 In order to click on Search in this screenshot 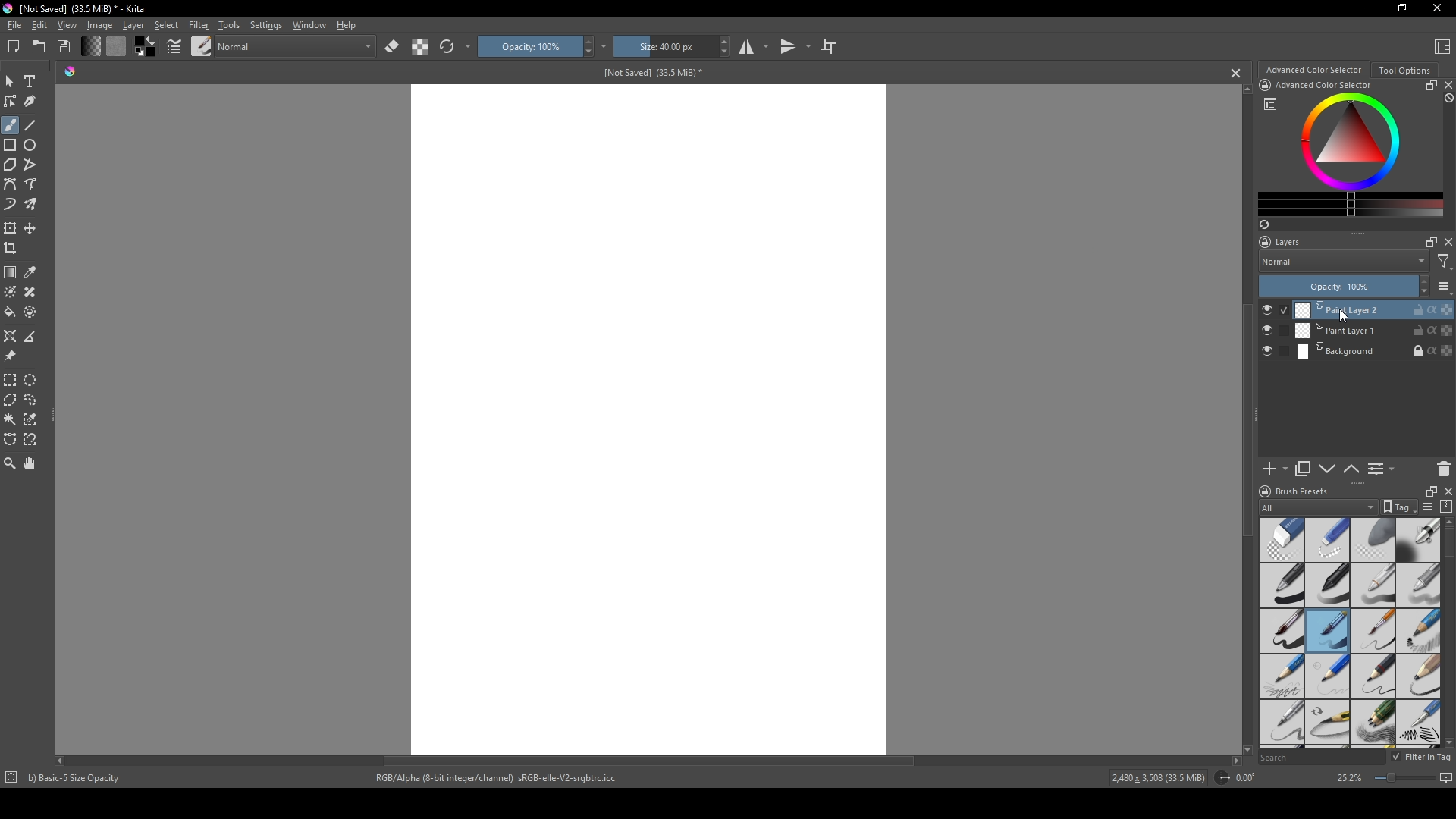, I will do `click(1321, 758)`.